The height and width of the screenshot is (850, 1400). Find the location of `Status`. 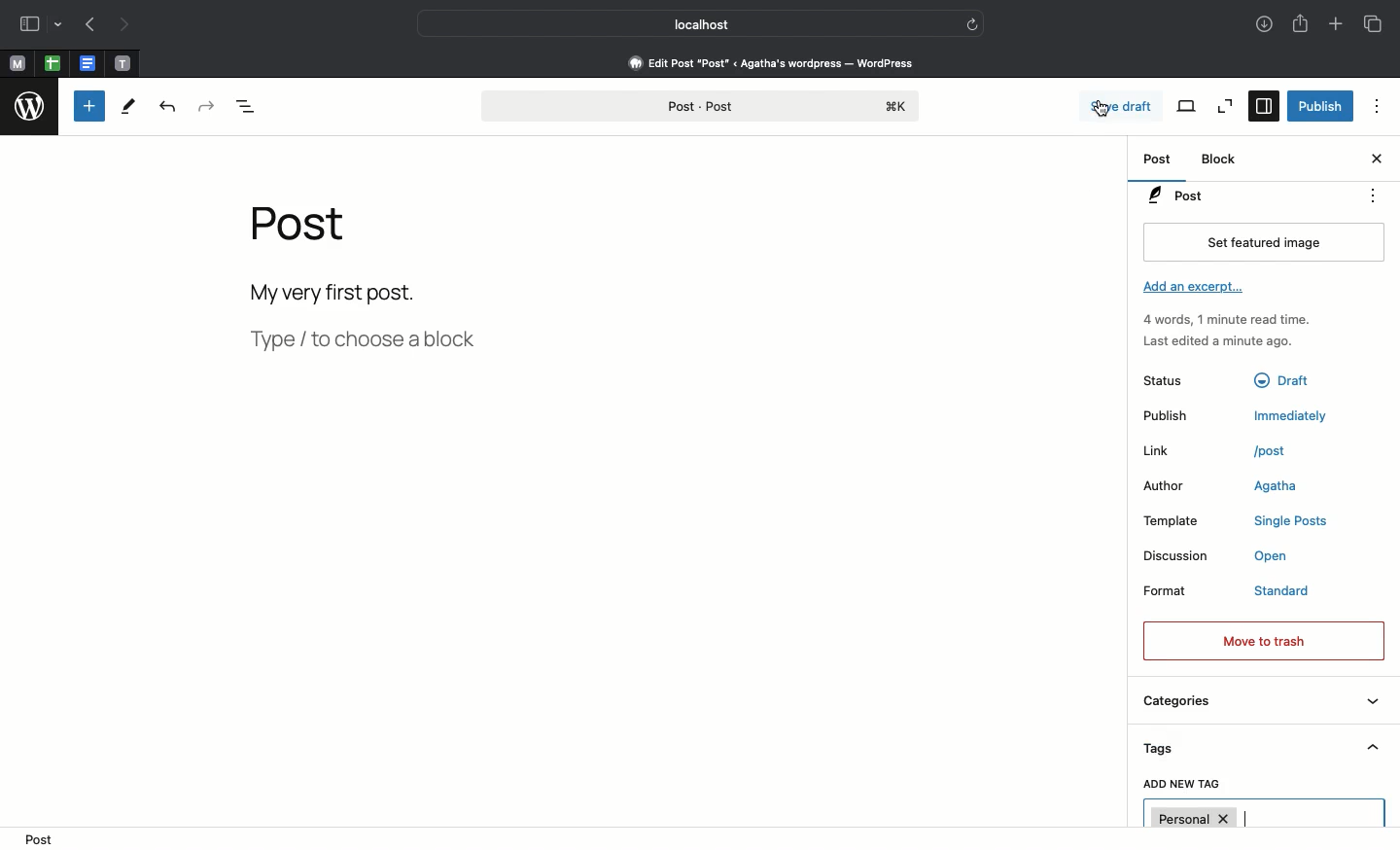

Status is located at coordinates (1175, 379).